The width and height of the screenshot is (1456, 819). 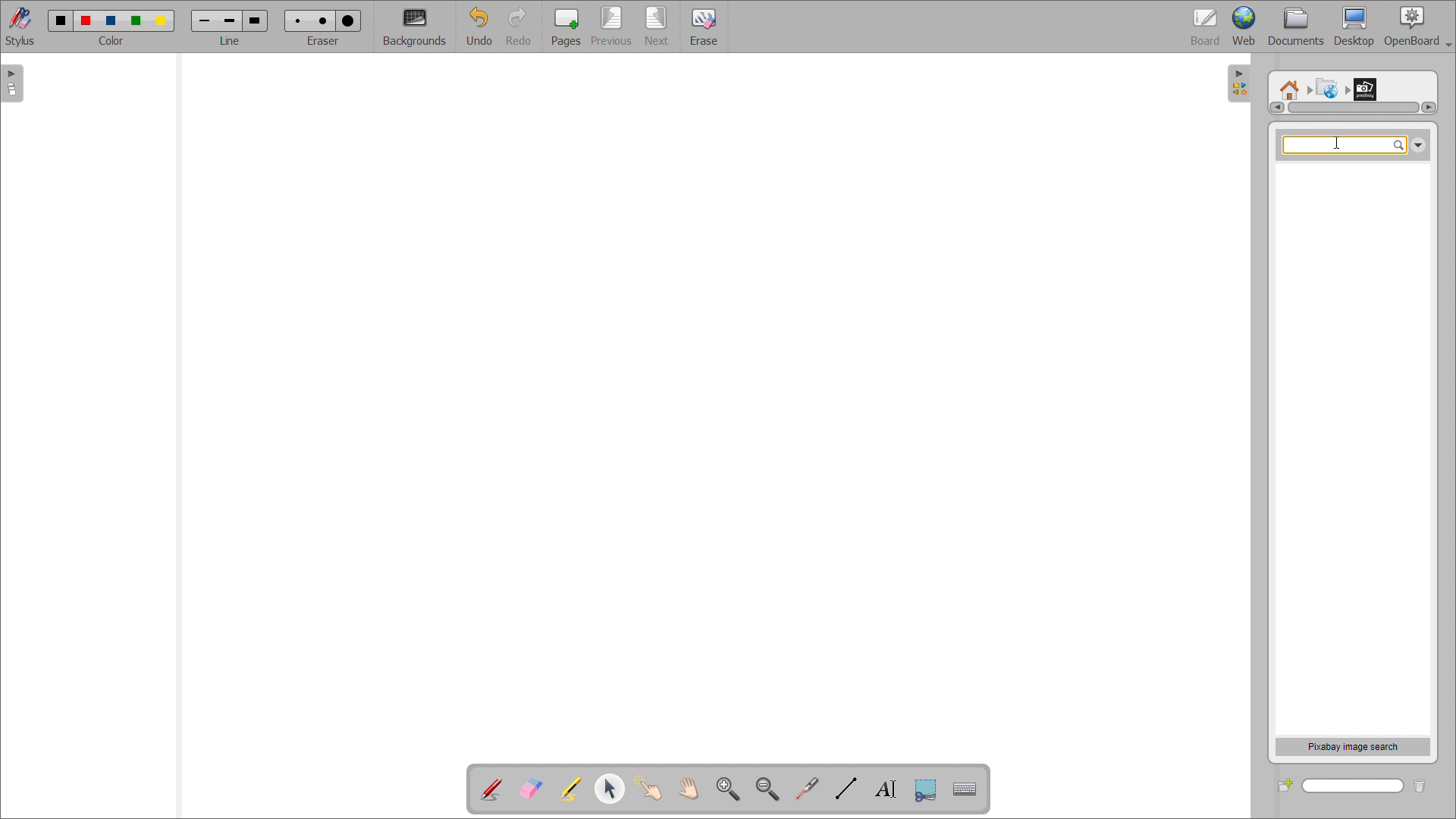 What do you see at coordinates (566, 26) in the screenshot?
I see `add pages` at bounding box center [566, 26].